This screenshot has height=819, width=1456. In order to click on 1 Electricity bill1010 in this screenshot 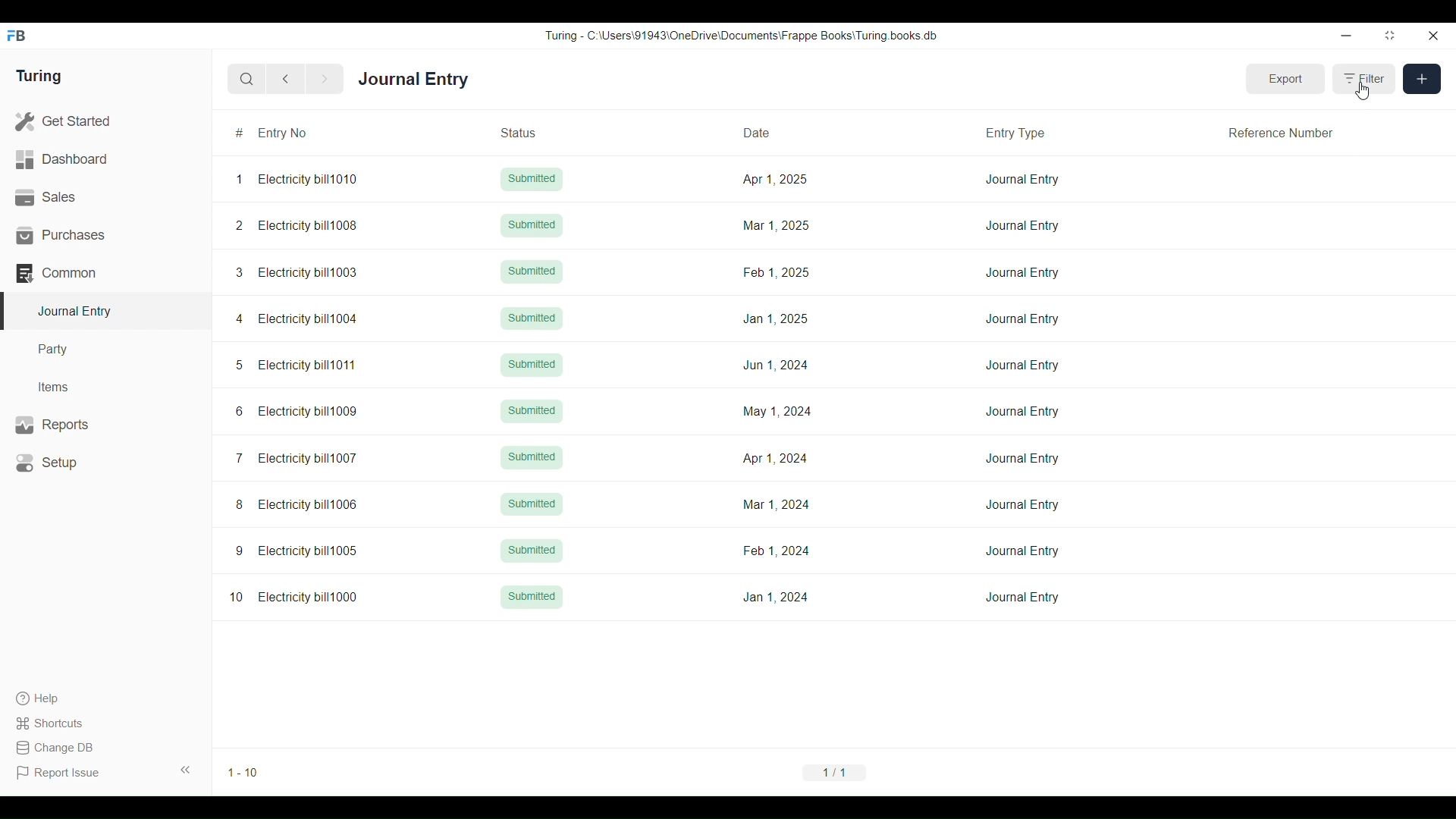, I will do `click(297, 179)`.